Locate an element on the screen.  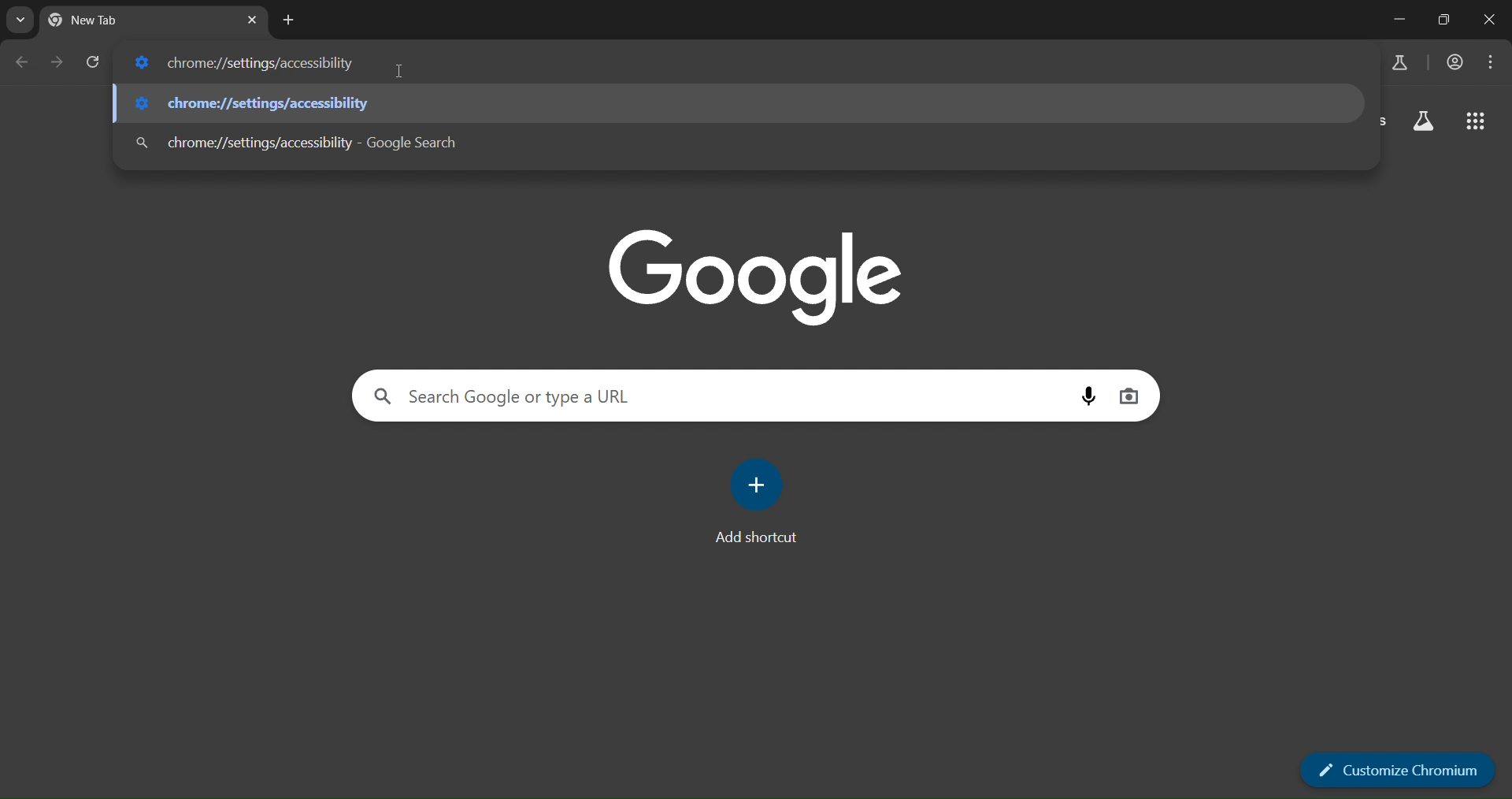
search labs is located at coordinates (1403, 65).